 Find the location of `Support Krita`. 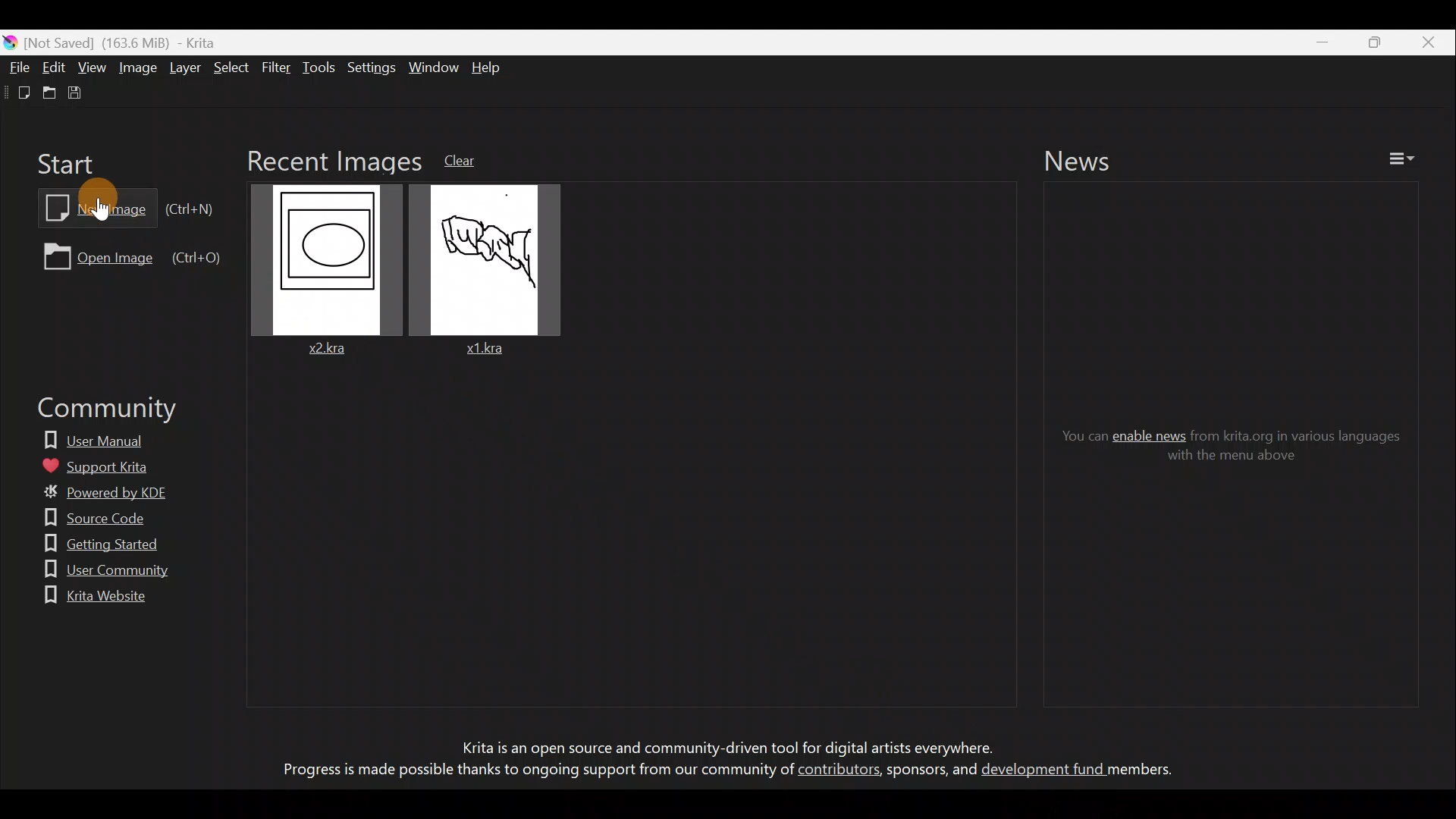

Support Krita is located at coordinates (108, 463).